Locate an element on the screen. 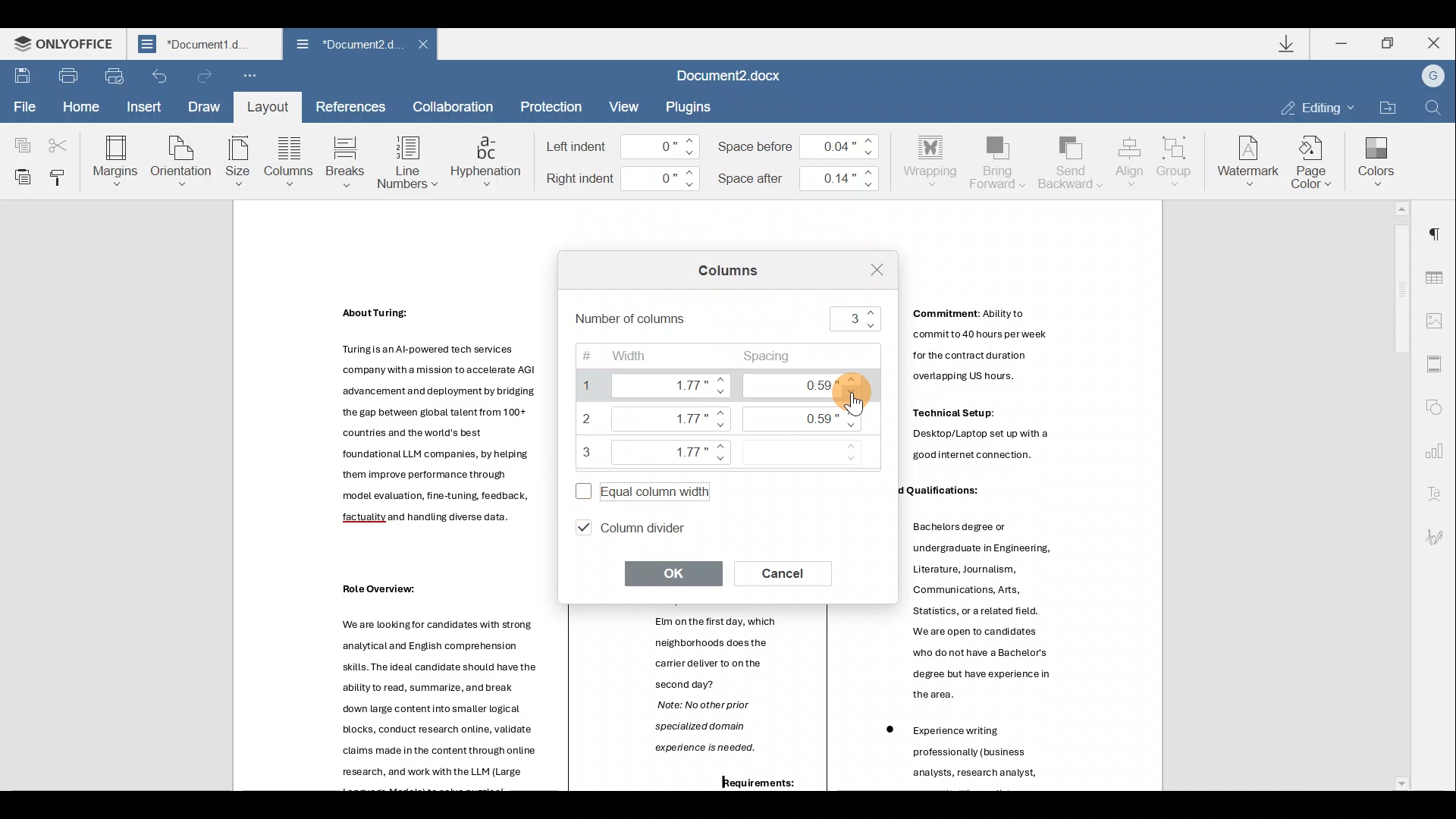 This screenshot has height=819, width=1456. OK is located at coordinates (677, 573).